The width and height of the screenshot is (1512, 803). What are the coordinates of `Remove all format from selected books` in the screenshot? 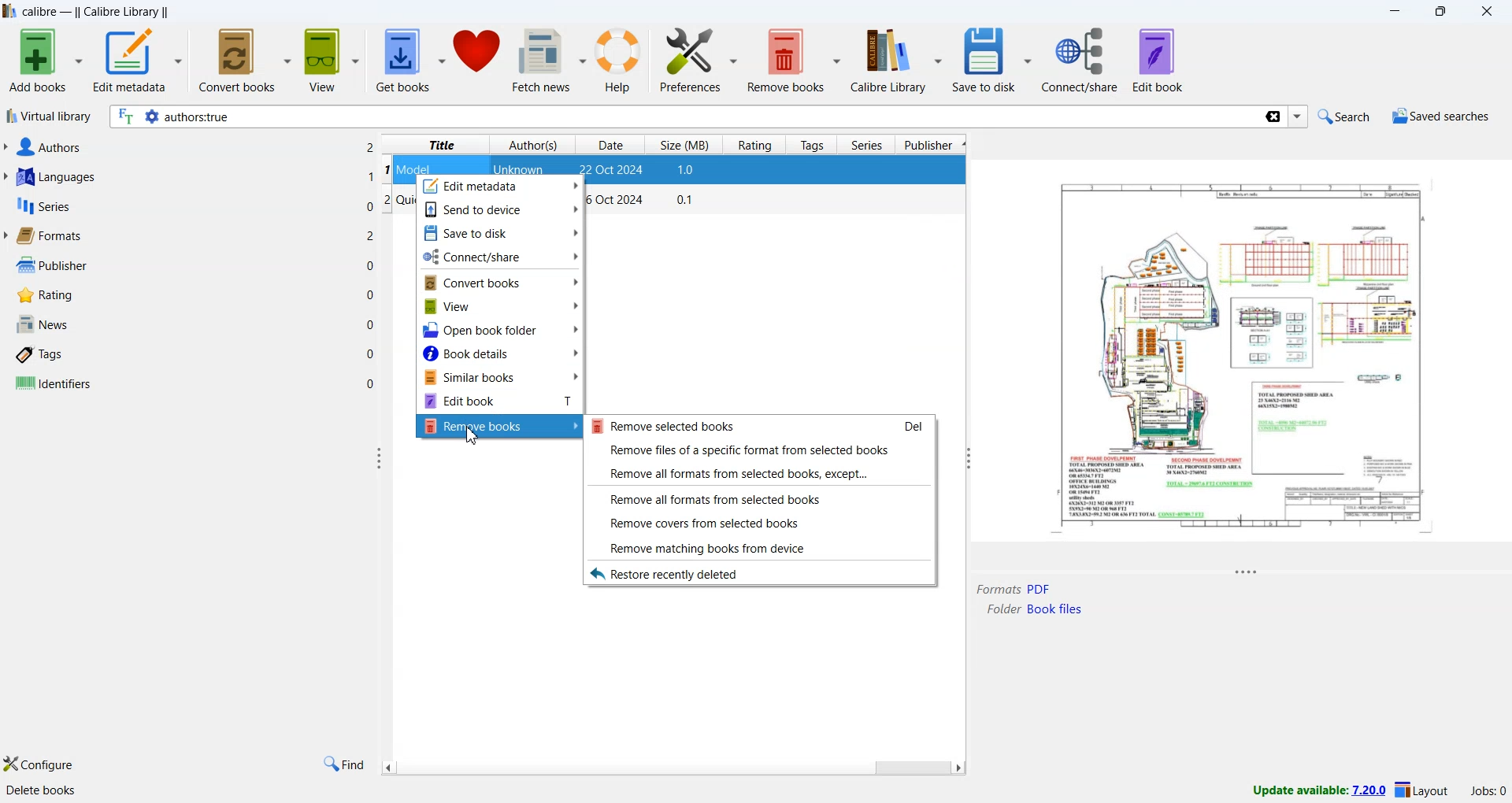 It's located at (759, 498).